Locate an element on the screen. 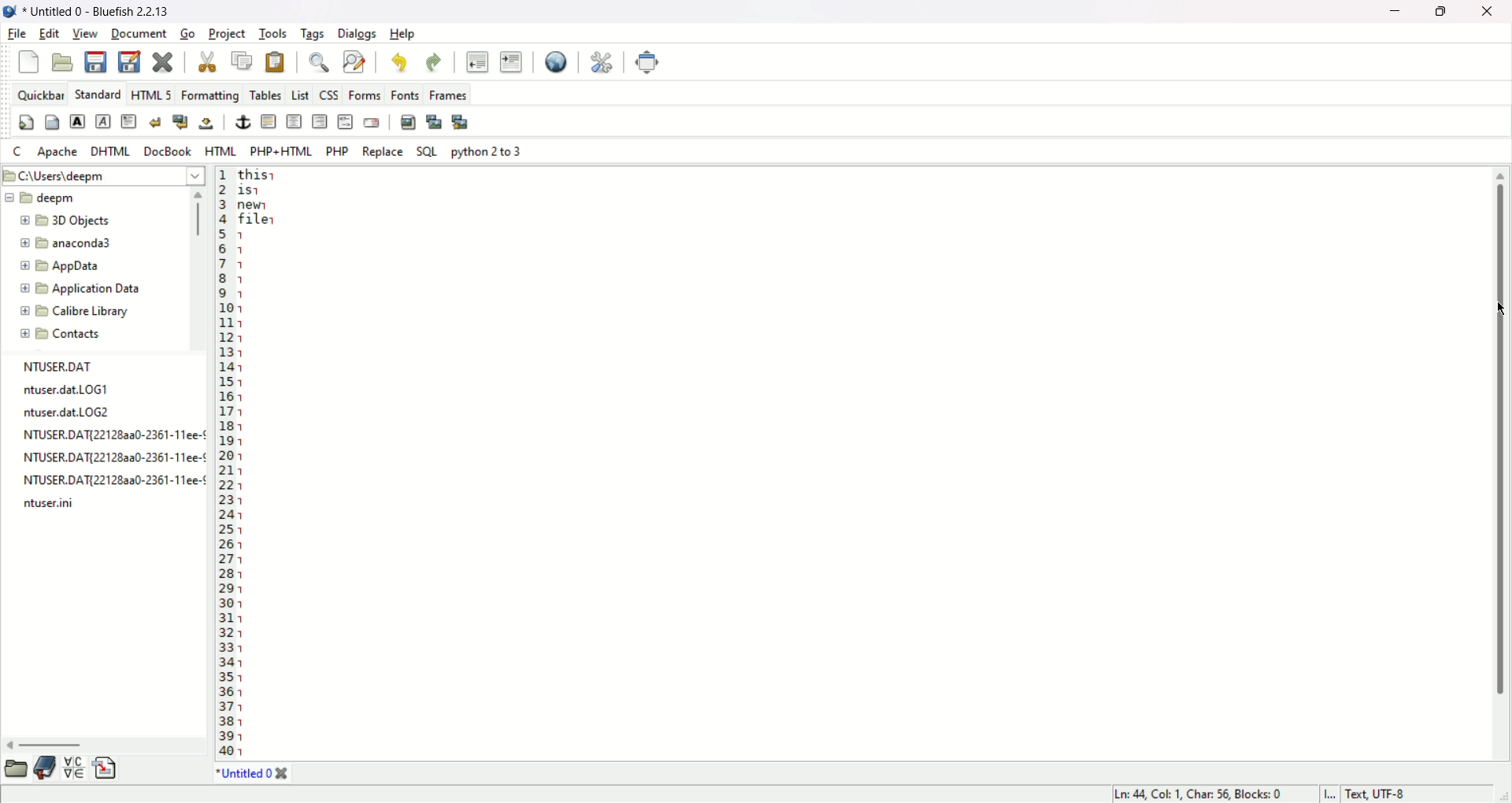 The image size is (1512, 803). anchor is located at coordinates (243, 122).